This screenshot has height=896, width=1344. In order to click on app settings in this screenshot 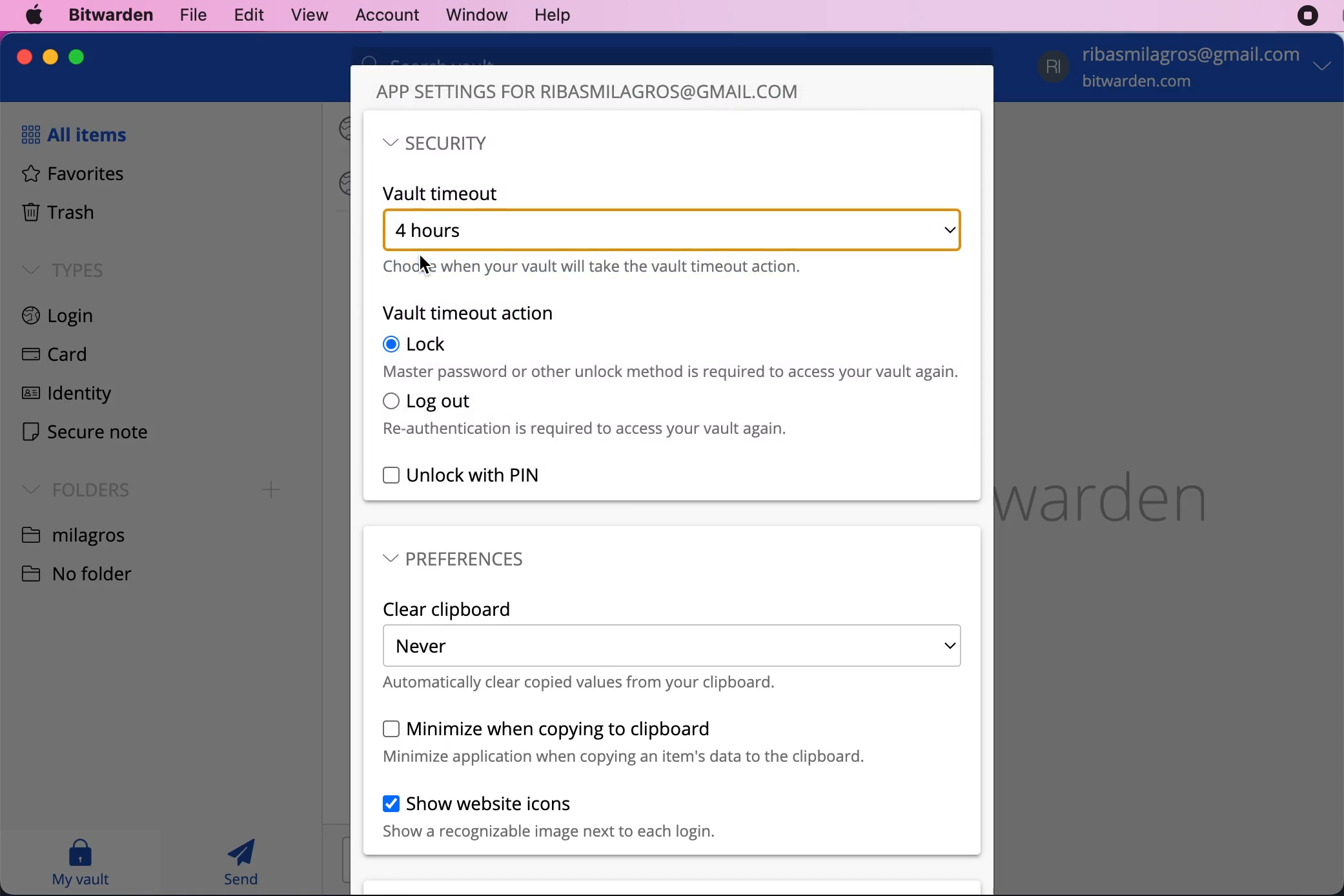, I will do `click(589, 92)`.